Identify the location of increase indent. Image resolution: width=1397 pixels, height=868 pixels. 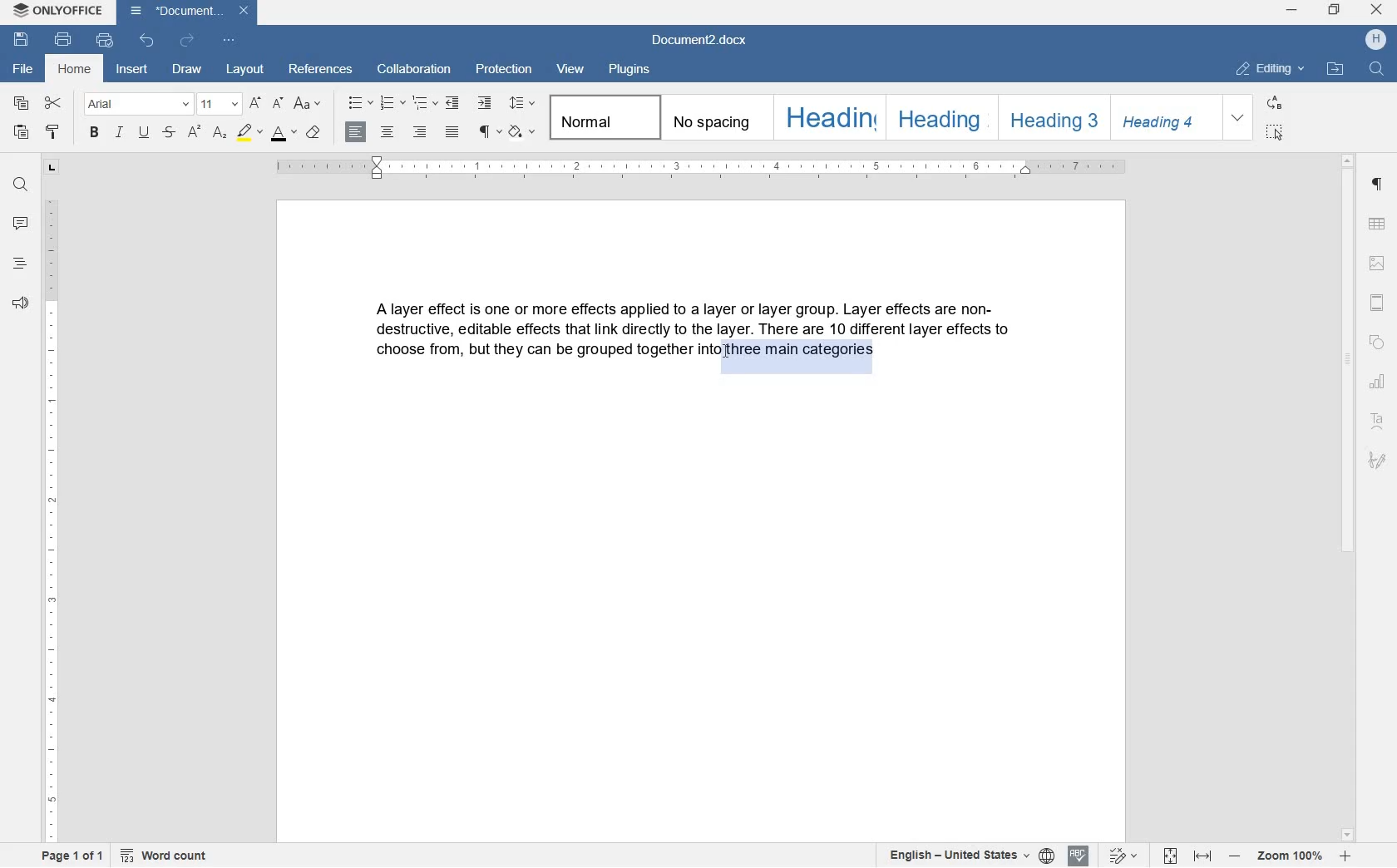
(486, 101).